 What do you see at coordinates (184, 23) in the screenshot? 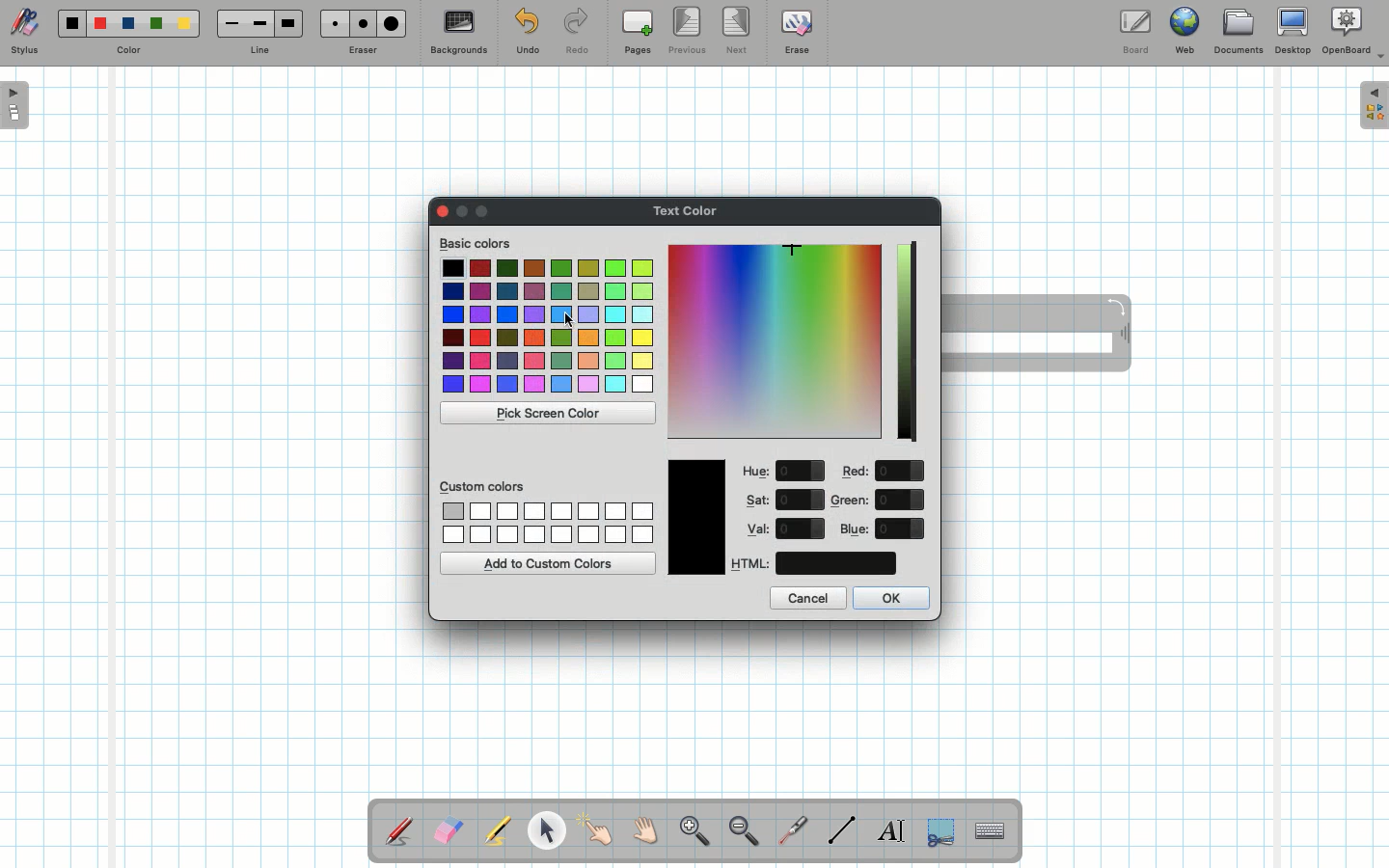
I see `Yellow` at bounding box center [184, 23].